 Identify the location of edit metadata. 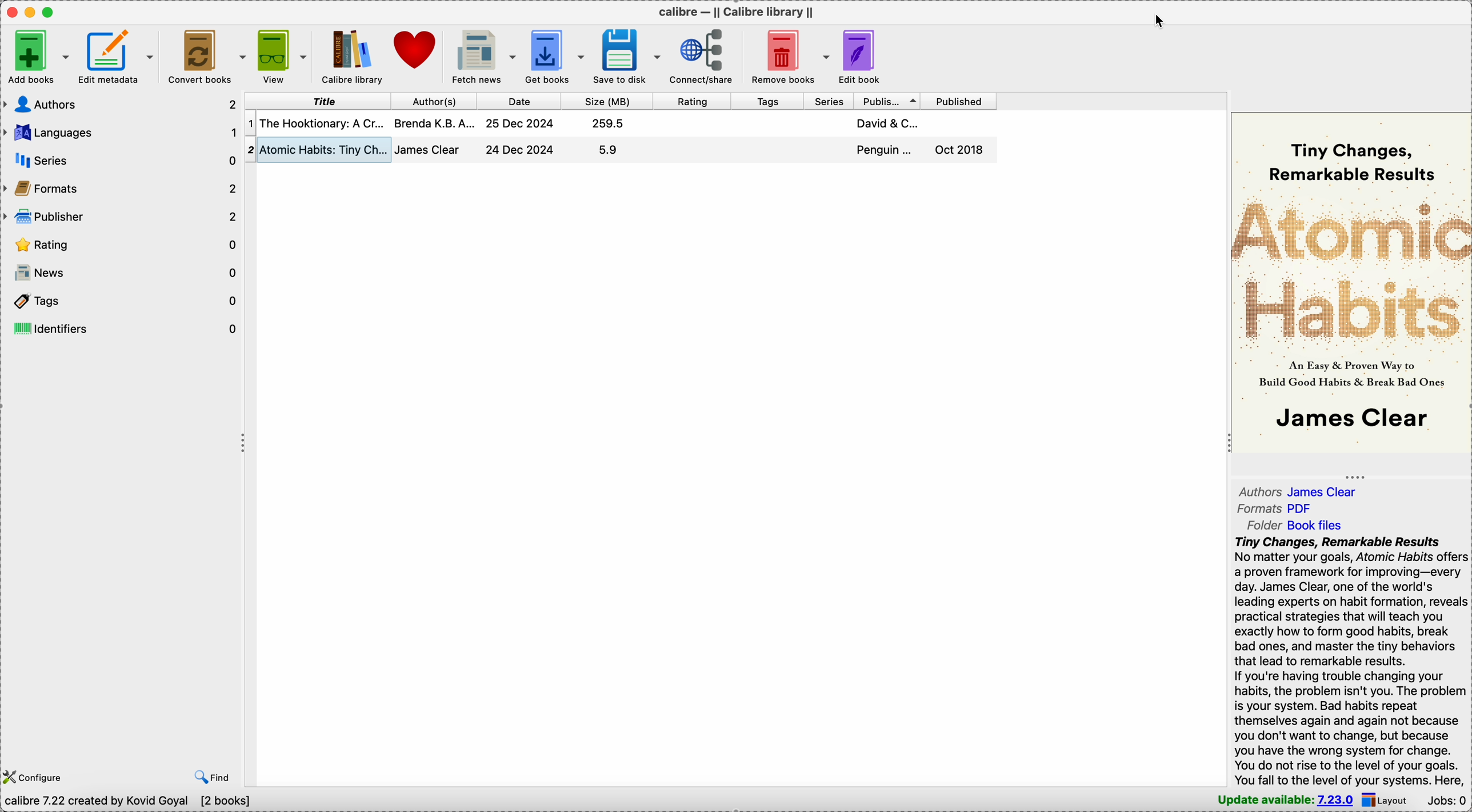
(119, 55).